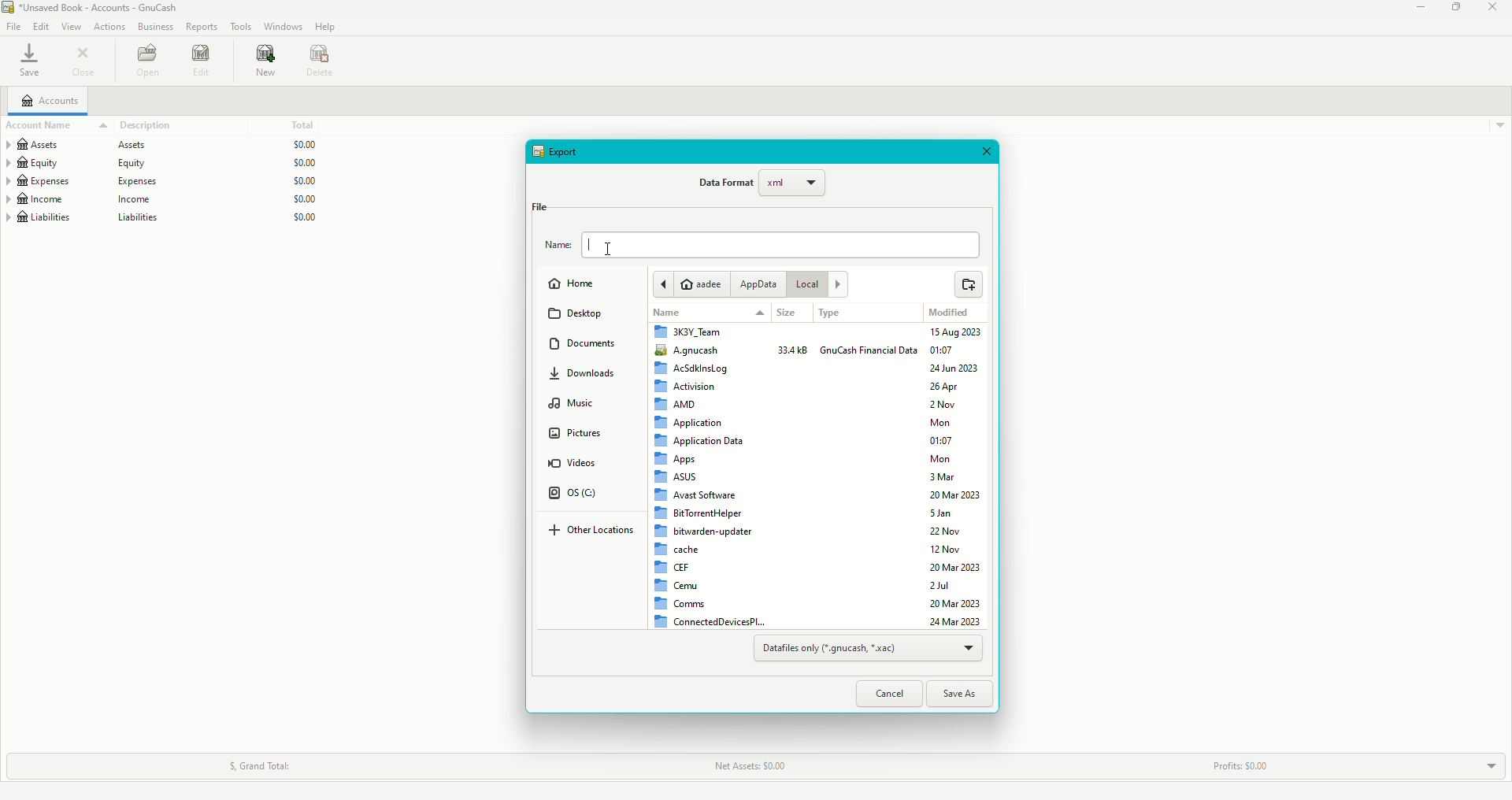 Image resolution: width=1512 pixels, height=800 pixels. What do you see at coordinates (762, 187) in the screenshot?
I see `Data Format` at bounding box center [762, 187].